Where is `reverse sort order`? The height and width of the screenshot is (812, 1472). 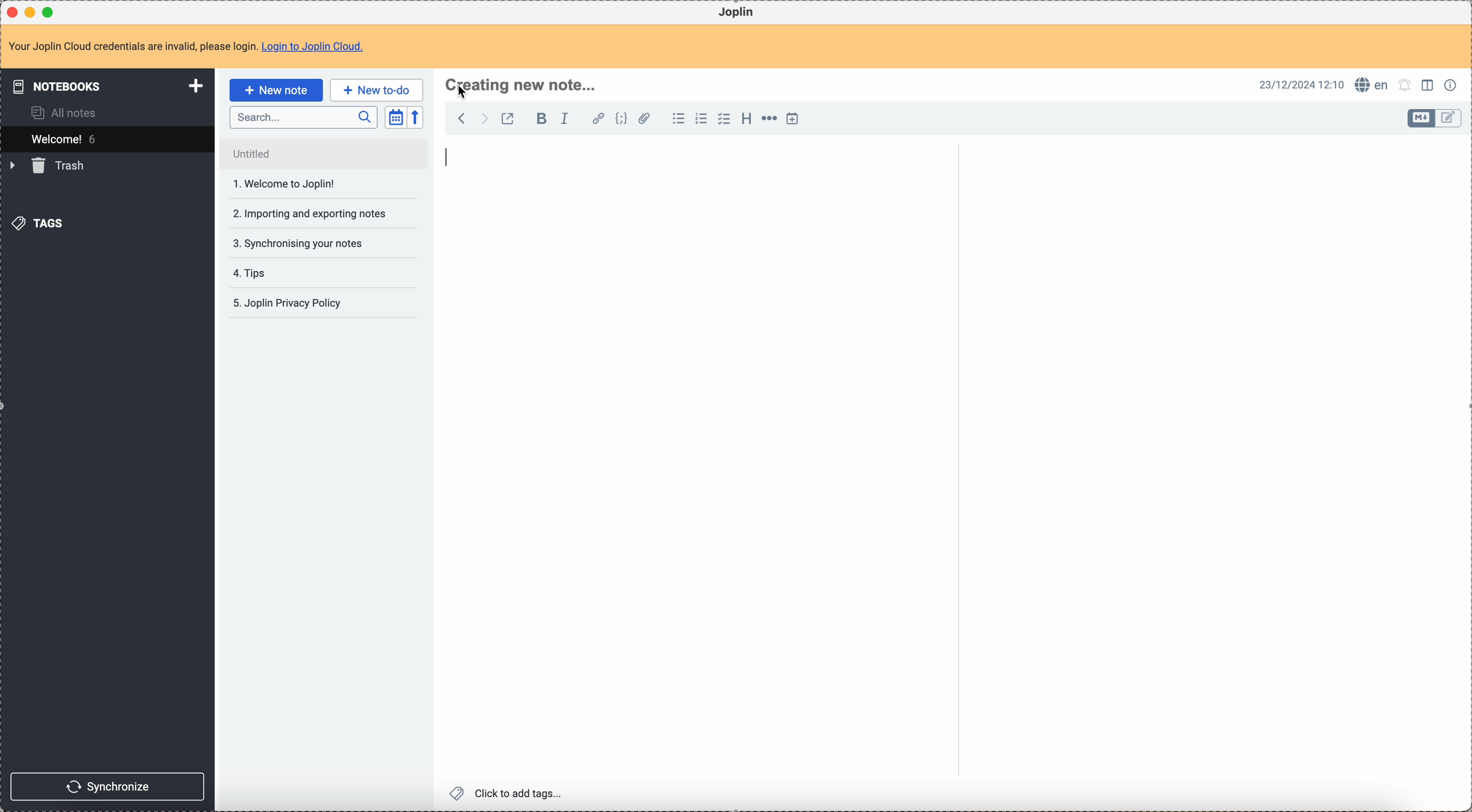 reverse sort order is located at coordinates (415, 117).